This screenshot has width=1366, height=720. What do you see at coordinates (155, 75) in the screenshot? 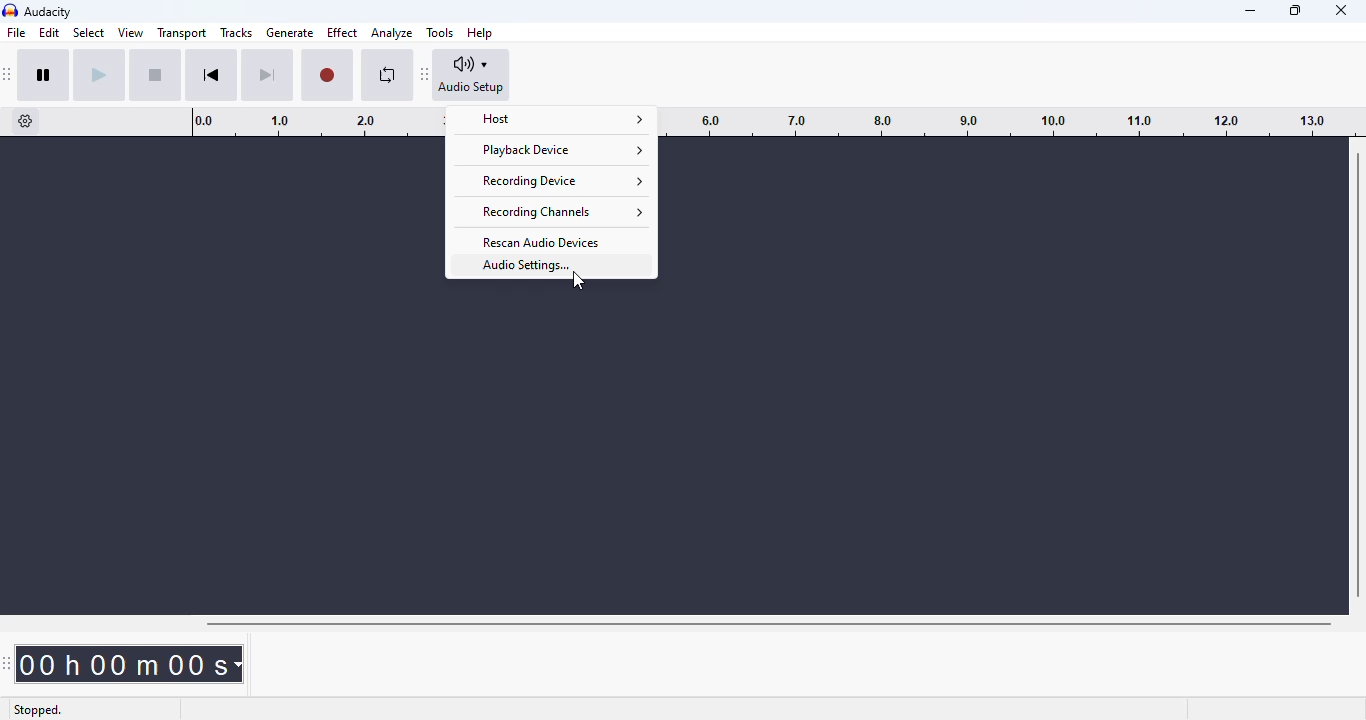
I see `stop` at bounding box center [155, 75].